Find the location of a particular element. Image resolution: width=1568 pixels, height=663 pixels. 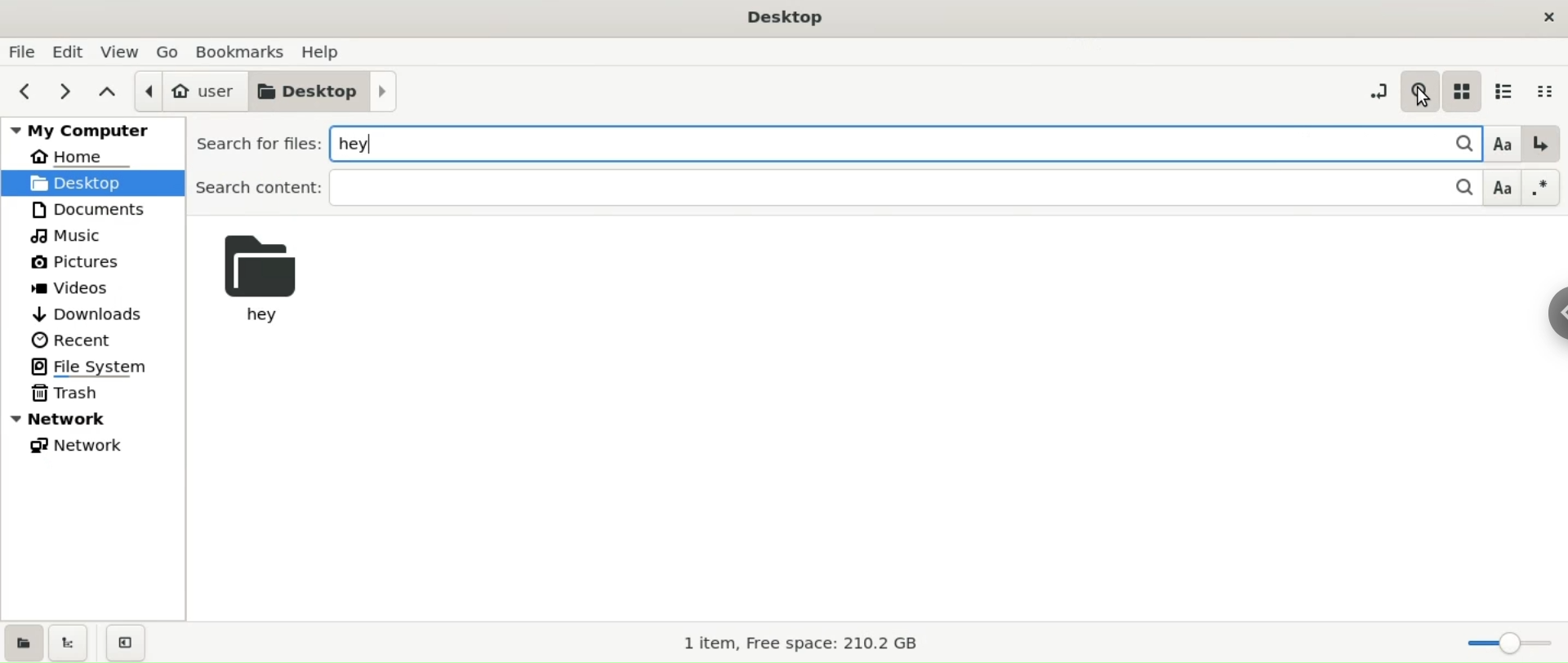

zoom is located at coordinates (1512, 644).